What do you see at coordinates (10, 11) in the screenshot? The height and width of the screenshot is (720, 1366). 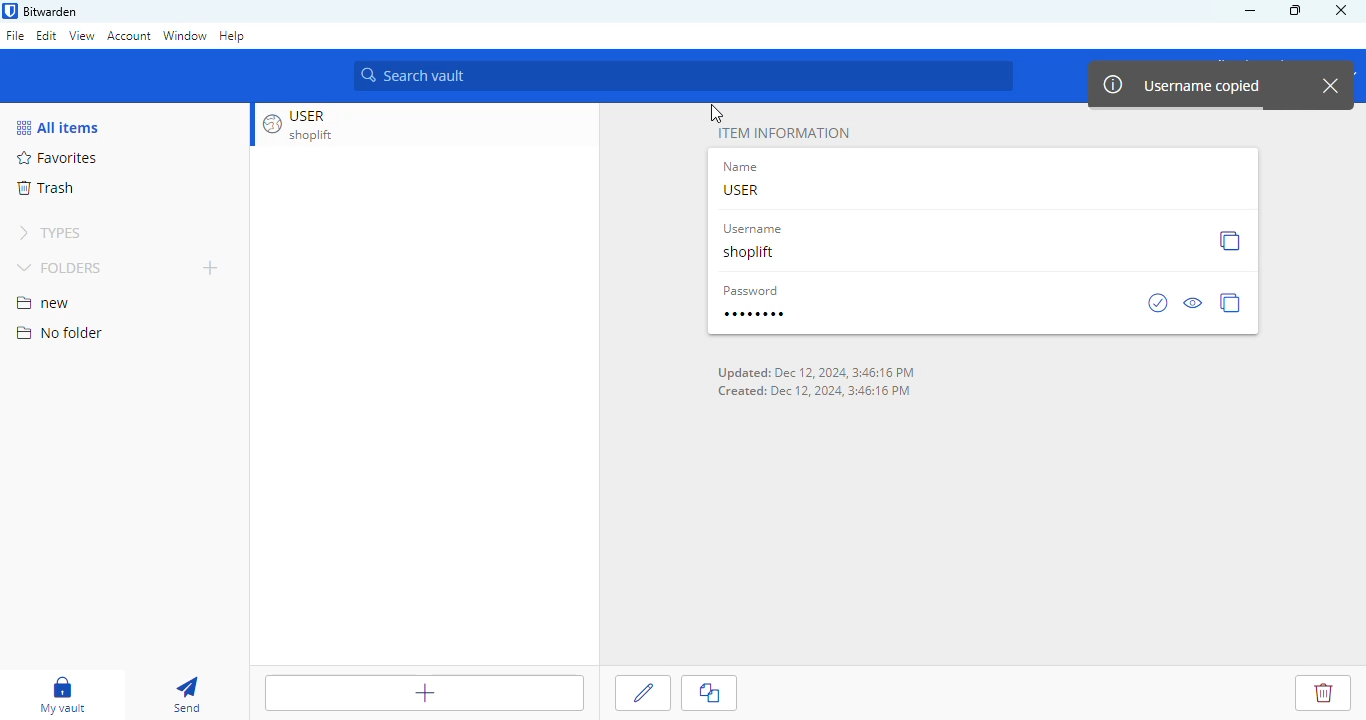 I see `logo` at bounding box center [10, 11].